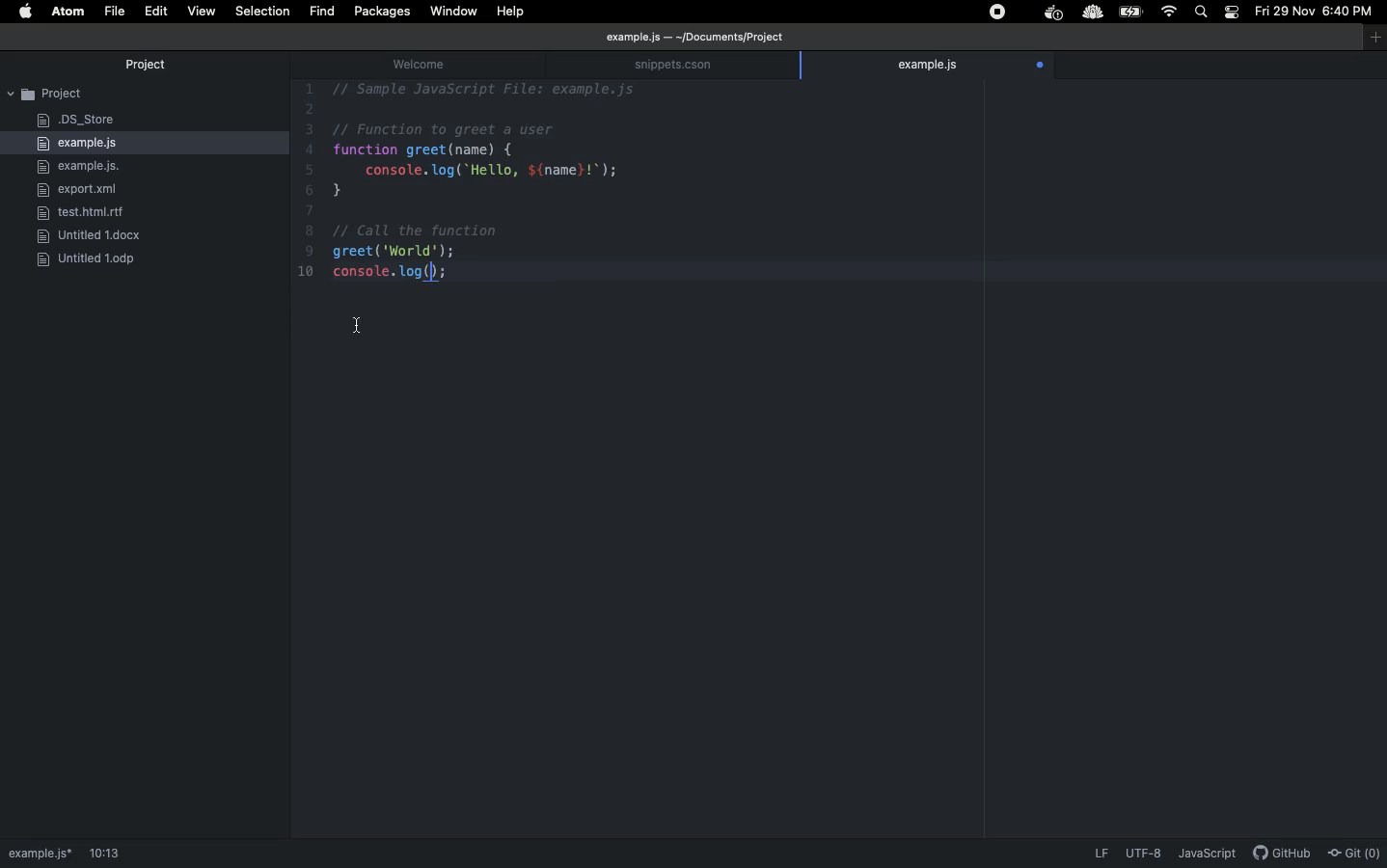 The width and height of the screenshot is (1387, 868). I want to click on Internet, so click(1169, 12).